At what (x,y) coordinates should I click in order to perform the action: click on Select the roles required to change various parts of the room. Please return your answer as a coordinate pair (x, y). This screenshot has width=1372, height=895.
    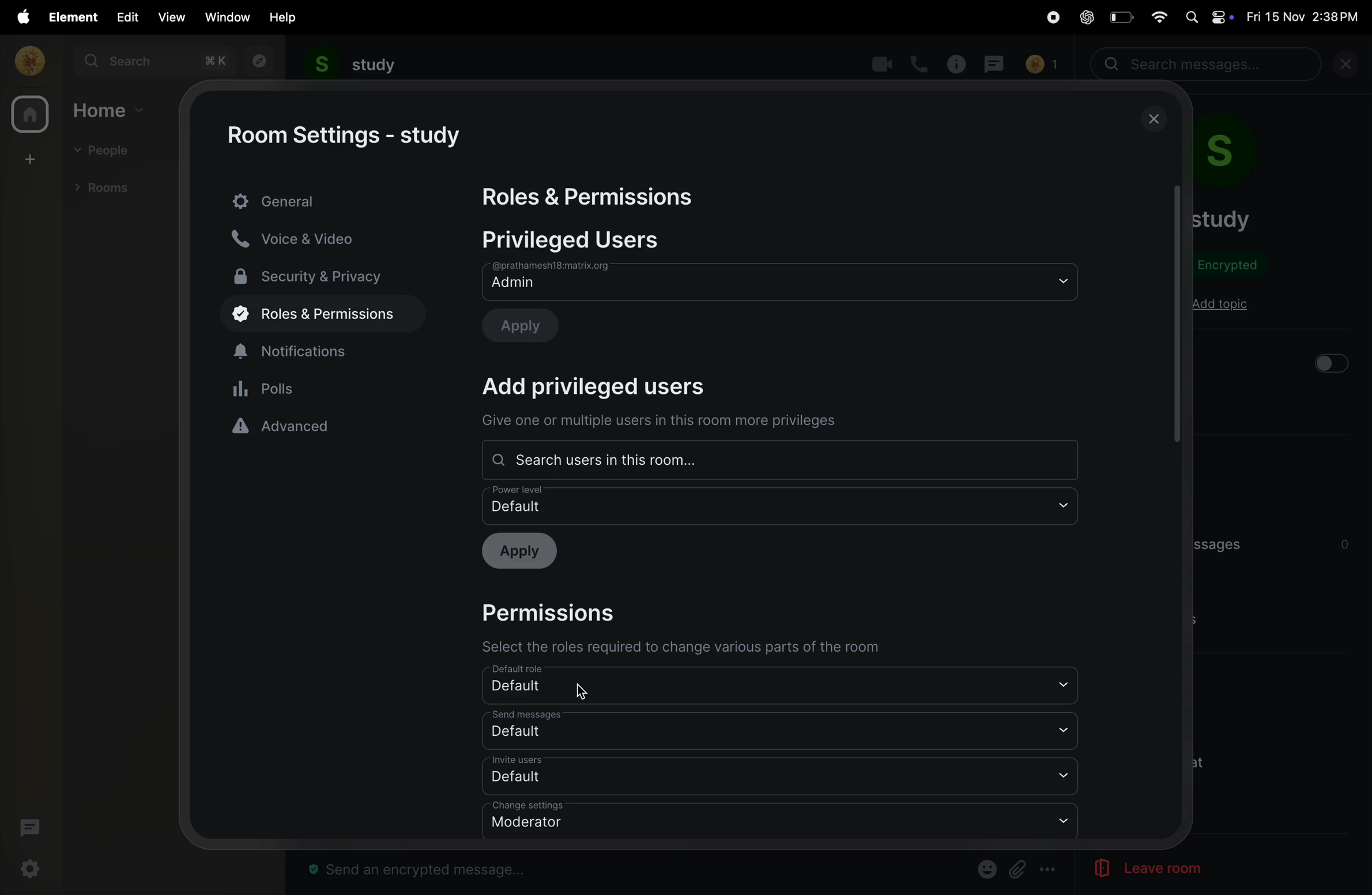
    Looking at the image, I should click on (679, 645).